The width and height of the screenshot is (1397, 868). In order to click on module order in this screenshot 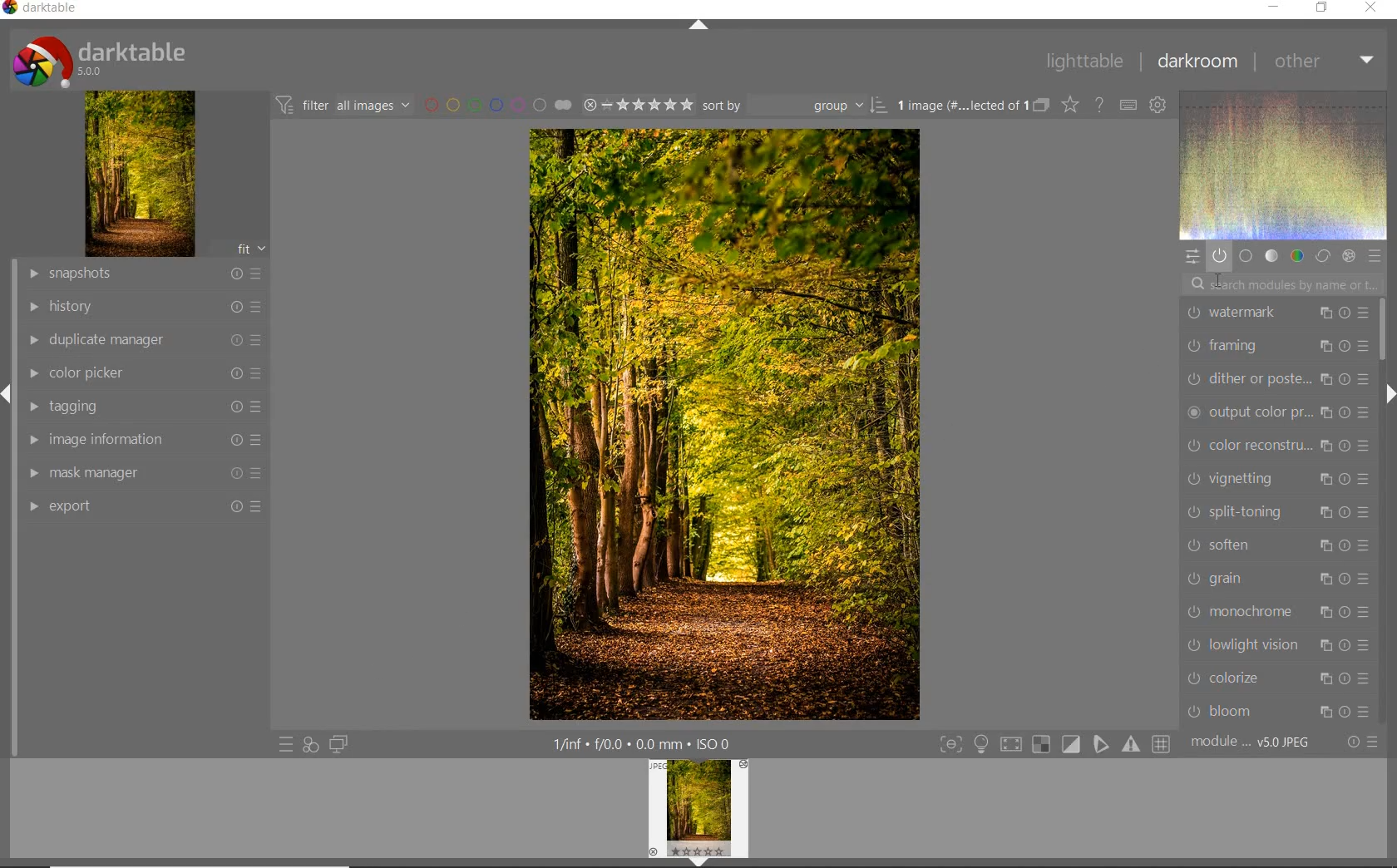, I will do `click(1250, 744)`.